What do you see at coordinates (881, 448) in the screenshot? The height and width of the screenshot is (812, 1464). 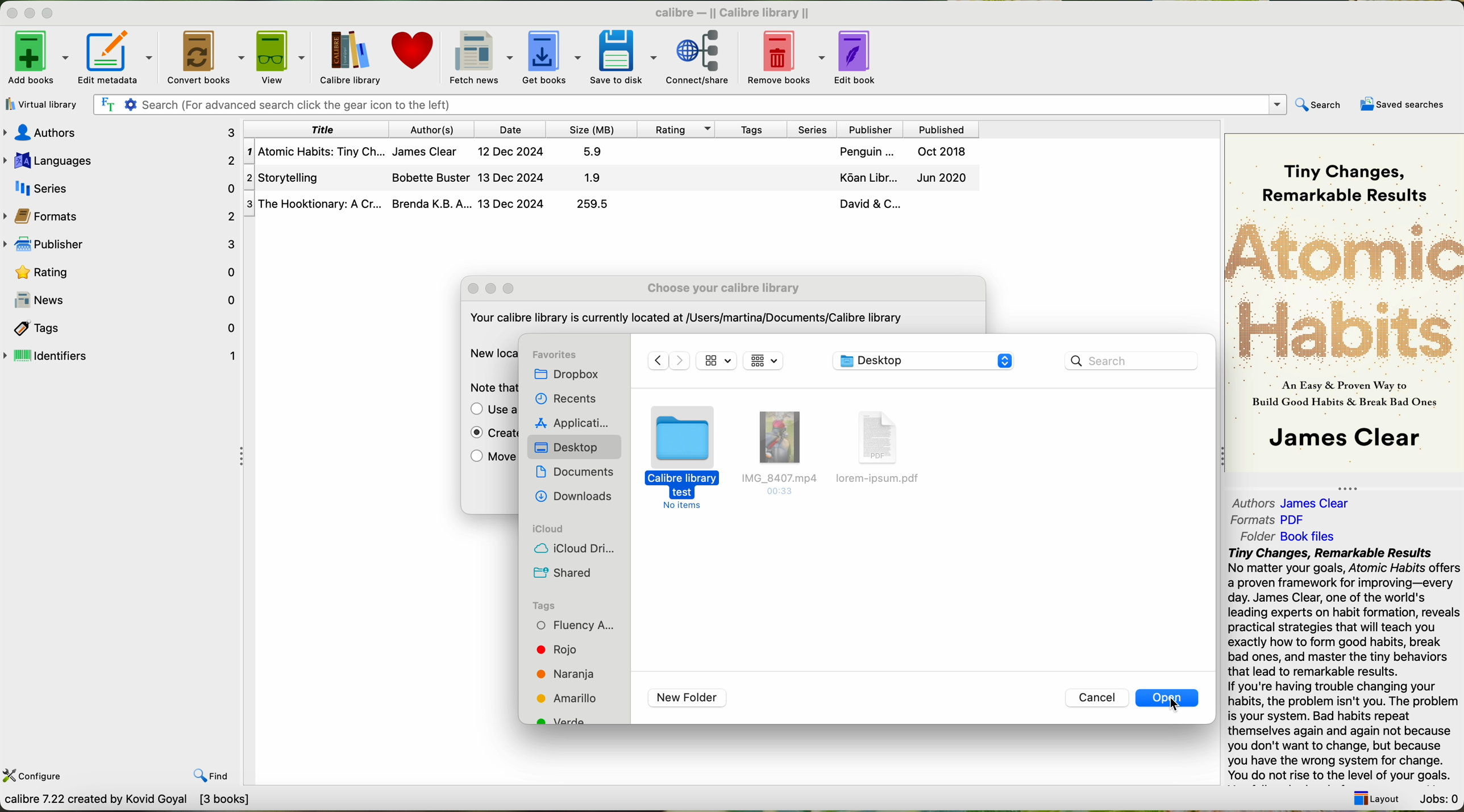 I see `file` at bounding box center [881, 448].